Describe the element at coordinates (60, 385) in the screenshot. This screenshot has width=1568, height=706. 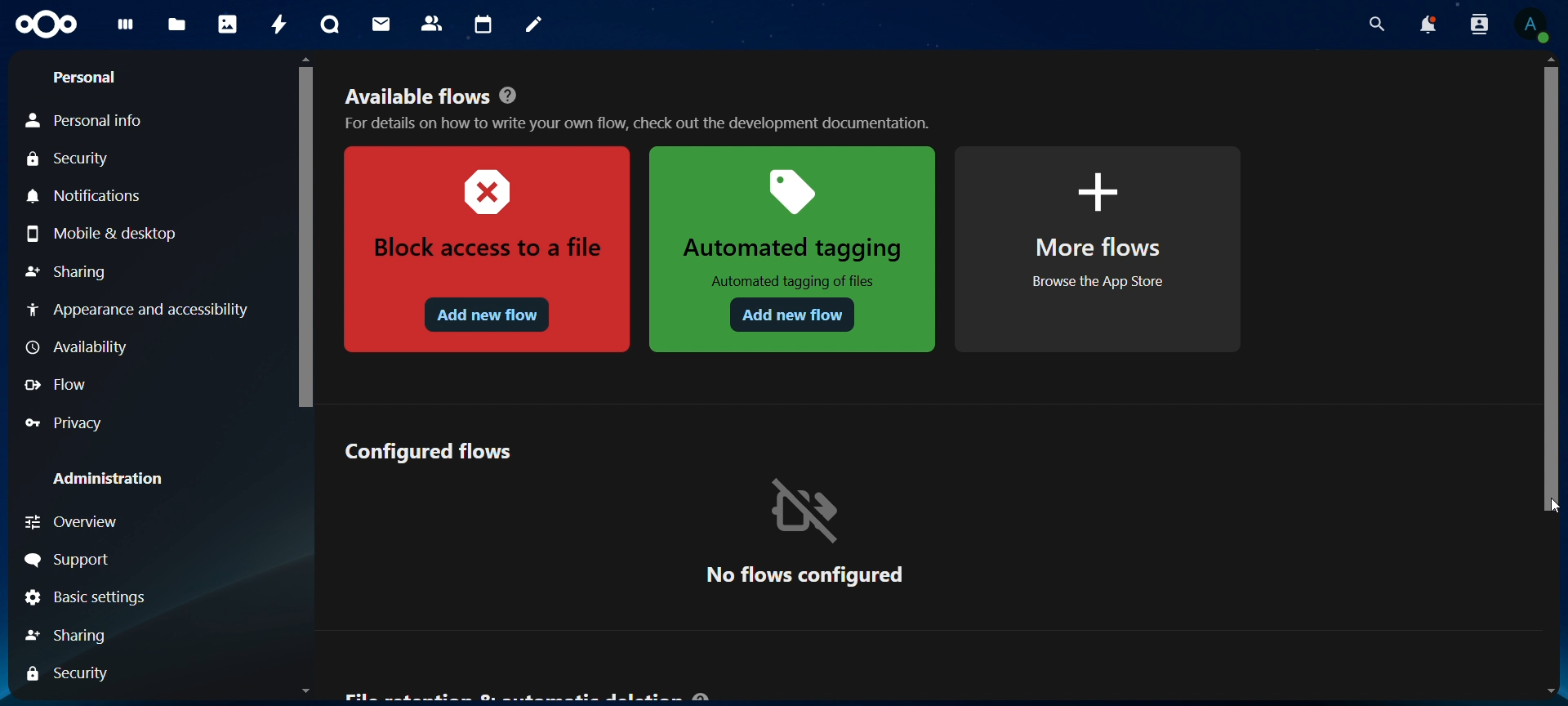
I see `flow` at that location.